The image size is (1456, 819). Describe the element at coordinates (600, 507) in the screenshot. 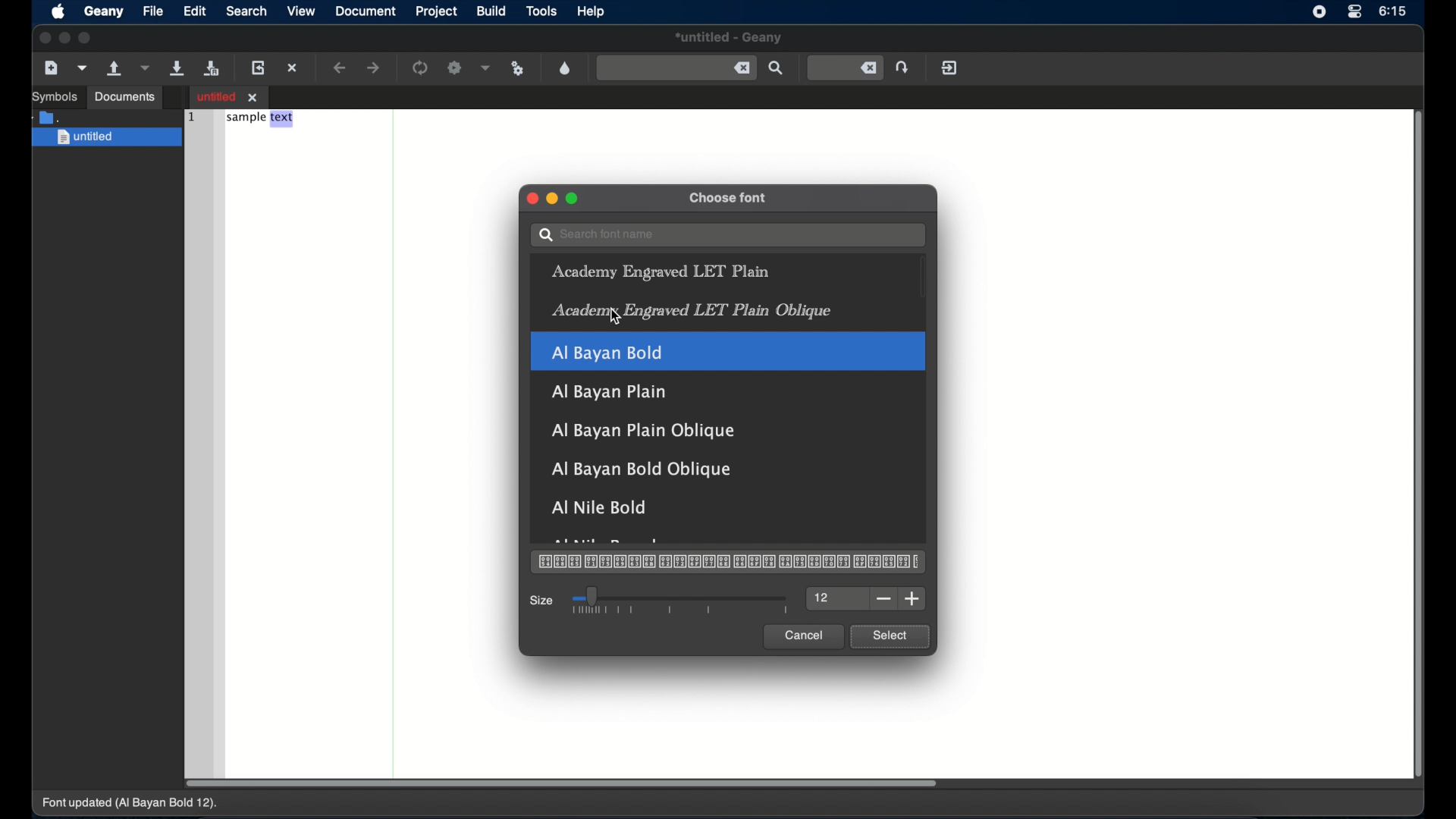

I see `al nile bold` at that location.